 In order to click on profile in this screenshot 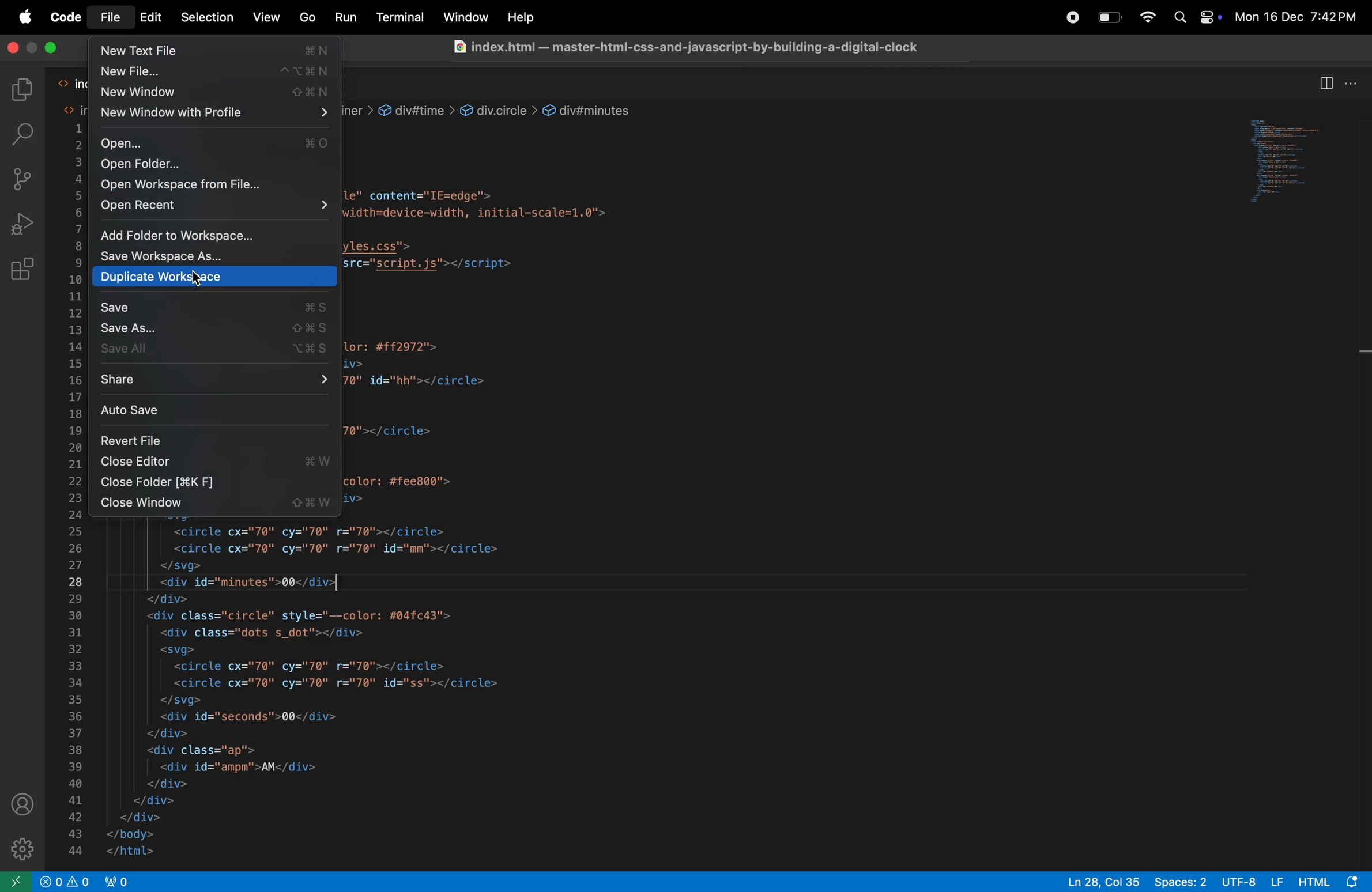, I will do `click(22, 806)`.